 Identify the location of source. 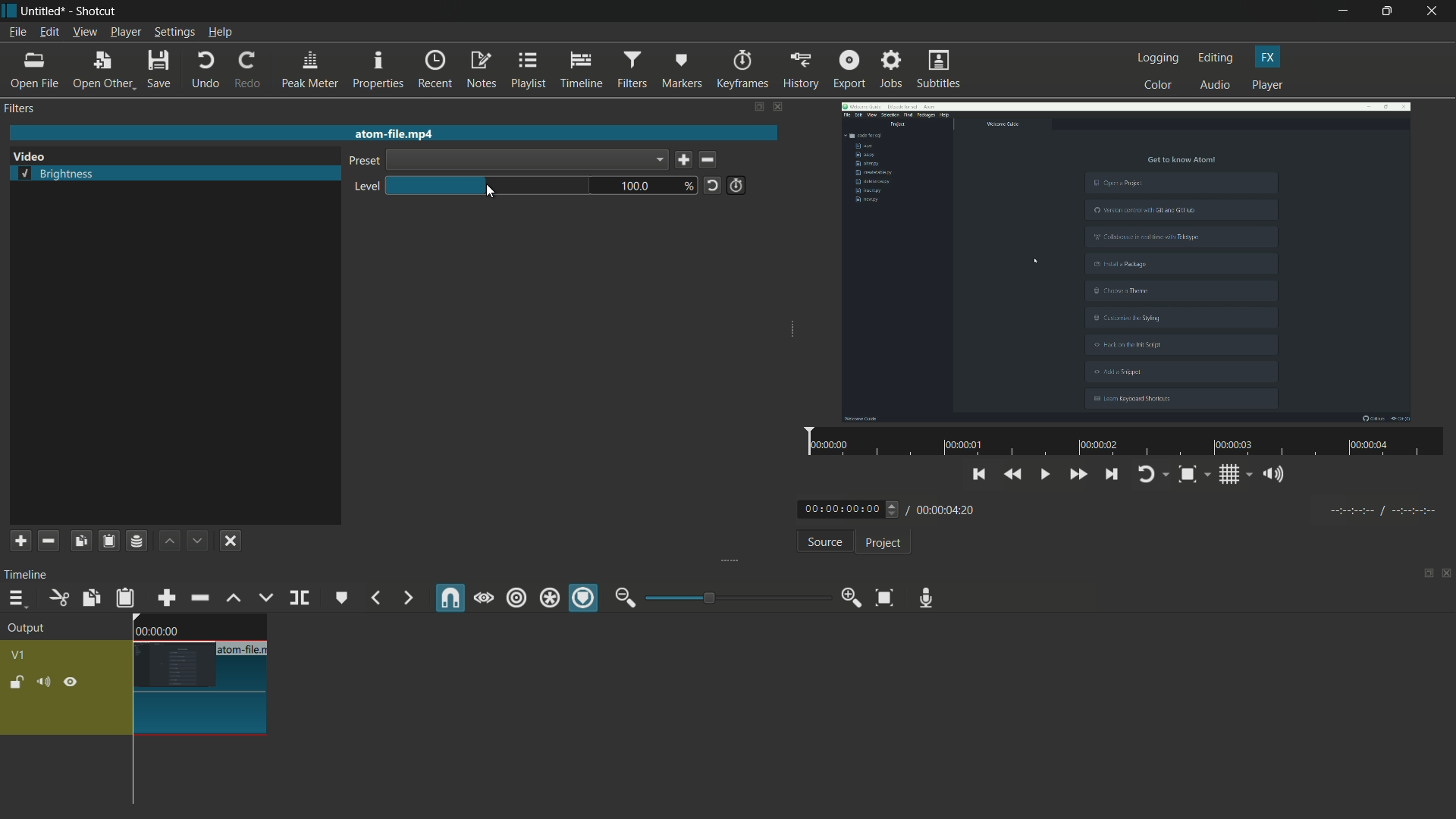
(824, 544).